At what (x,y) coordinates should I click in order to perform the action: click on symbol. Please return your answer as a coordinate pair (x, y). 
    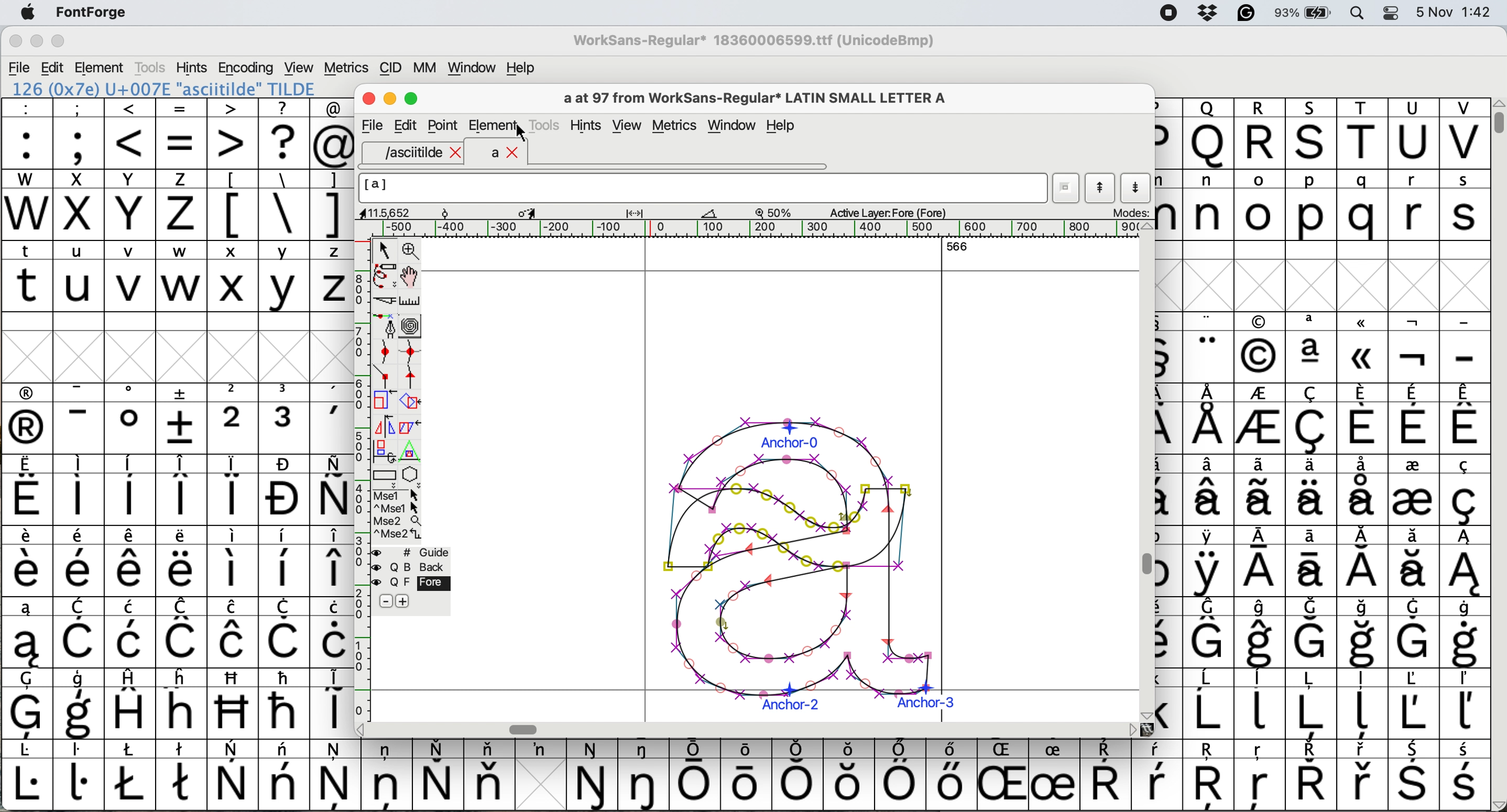
    Looking at the image, I should click on (1412, 489).